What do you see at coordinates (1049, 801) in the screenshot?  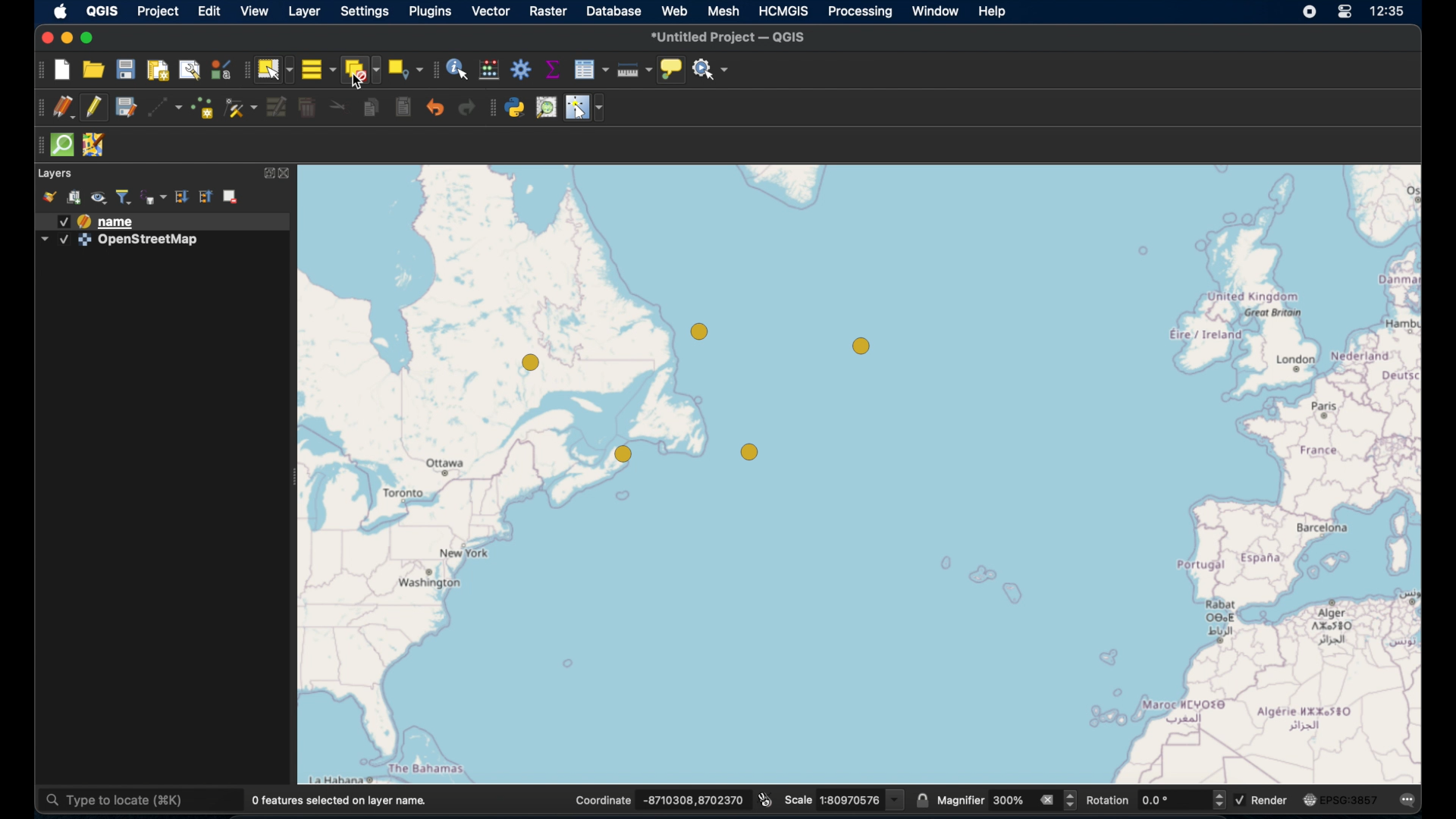 I see `clear value of magnifier` at bounding box center [1049, 801].